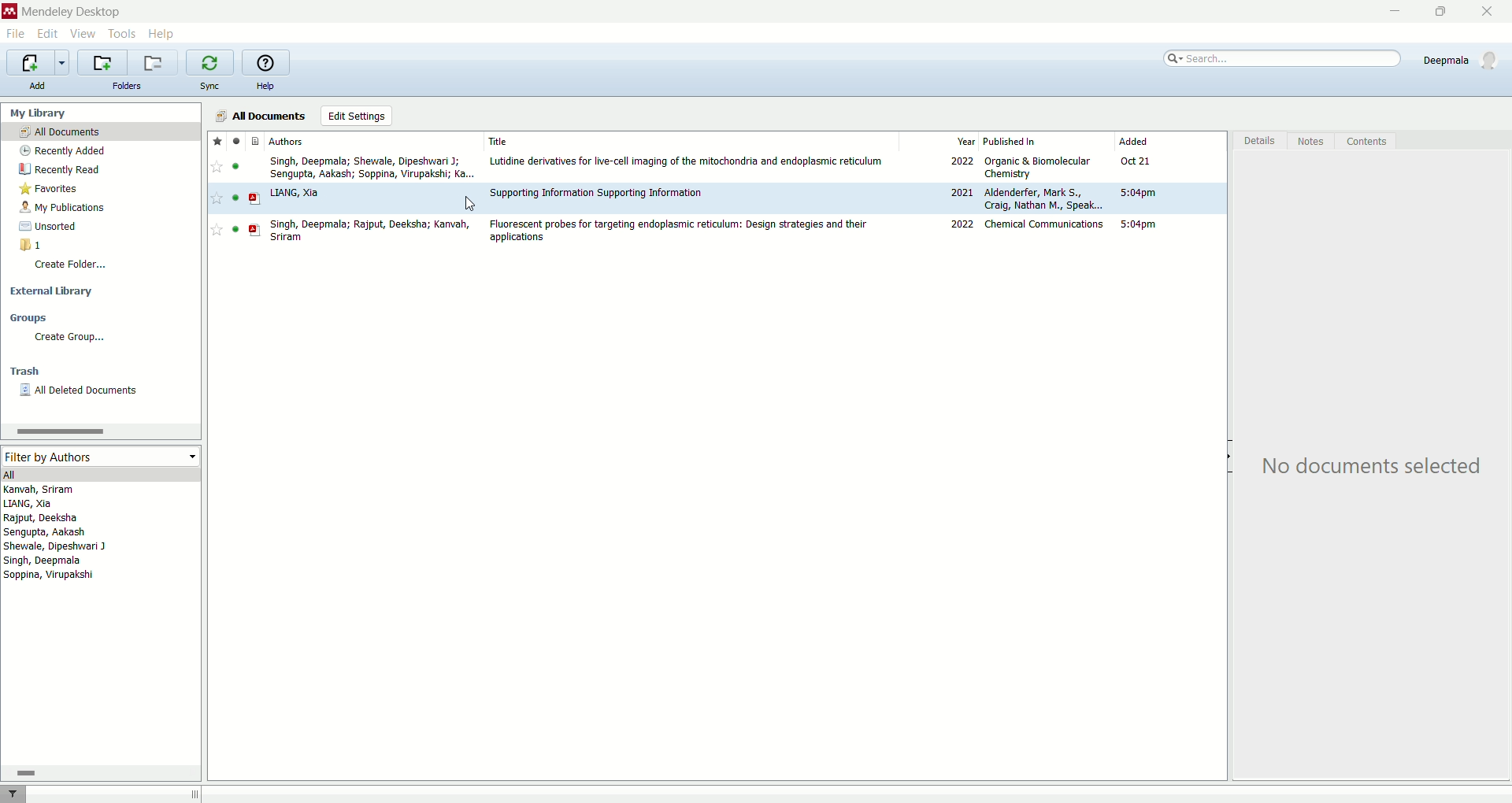  I want to click on help, so click(265, 85).